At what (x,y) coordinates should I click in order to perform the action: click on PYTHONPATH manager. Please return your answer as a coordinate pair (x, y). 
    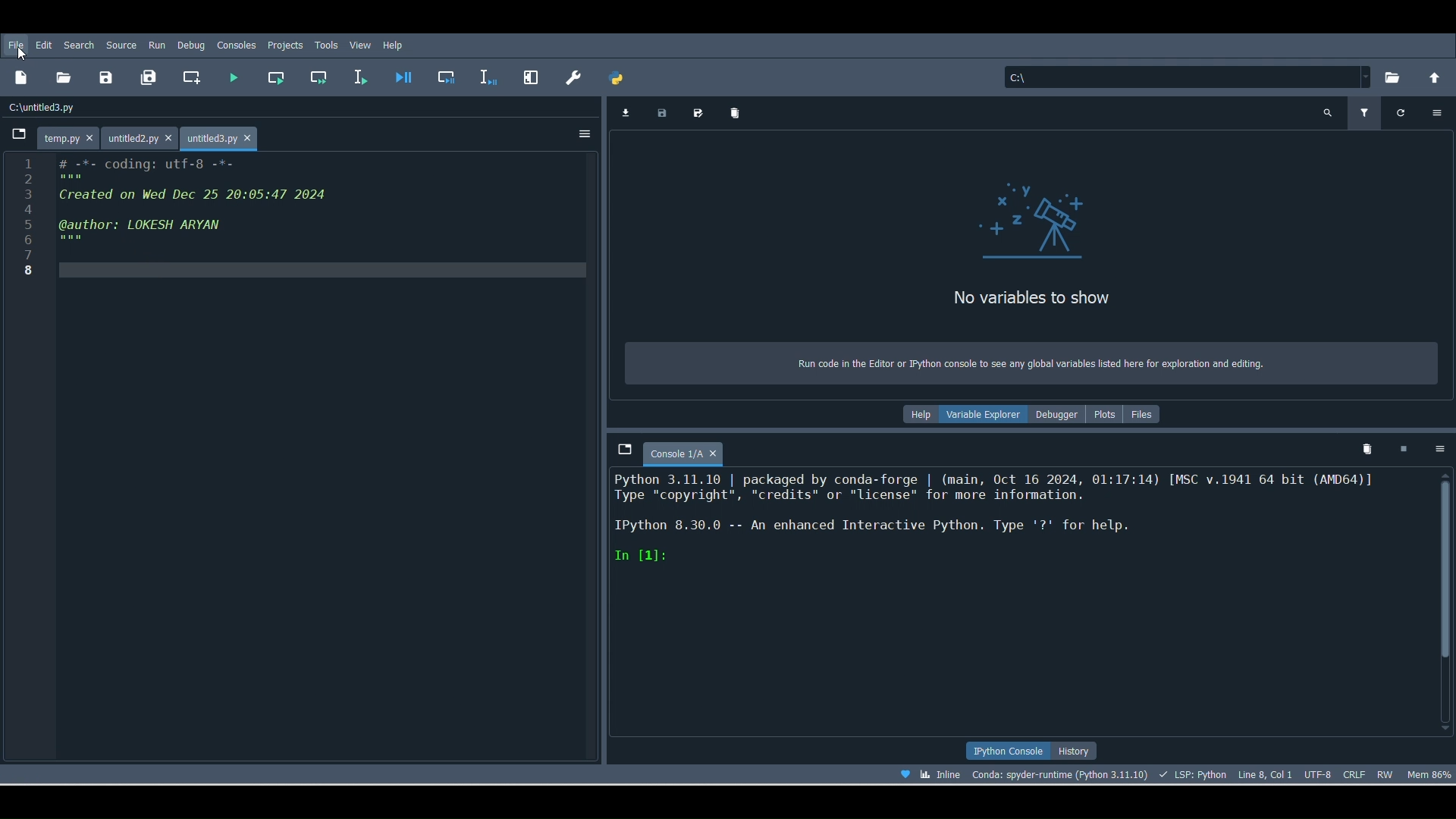
    Looking at the image, I should click on (622, 80).